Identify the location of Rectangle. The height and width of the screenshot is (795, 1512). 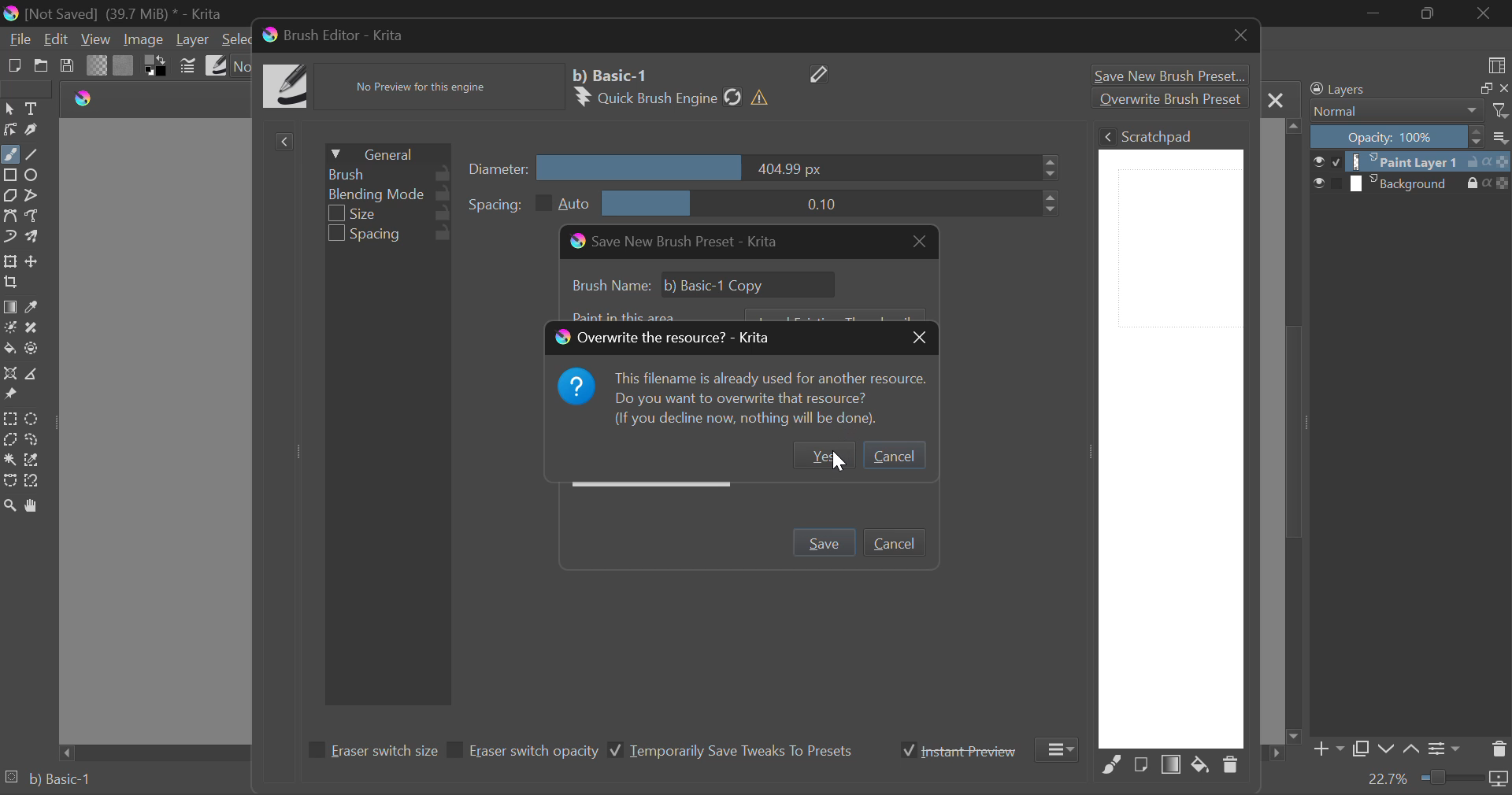
(11, 176).